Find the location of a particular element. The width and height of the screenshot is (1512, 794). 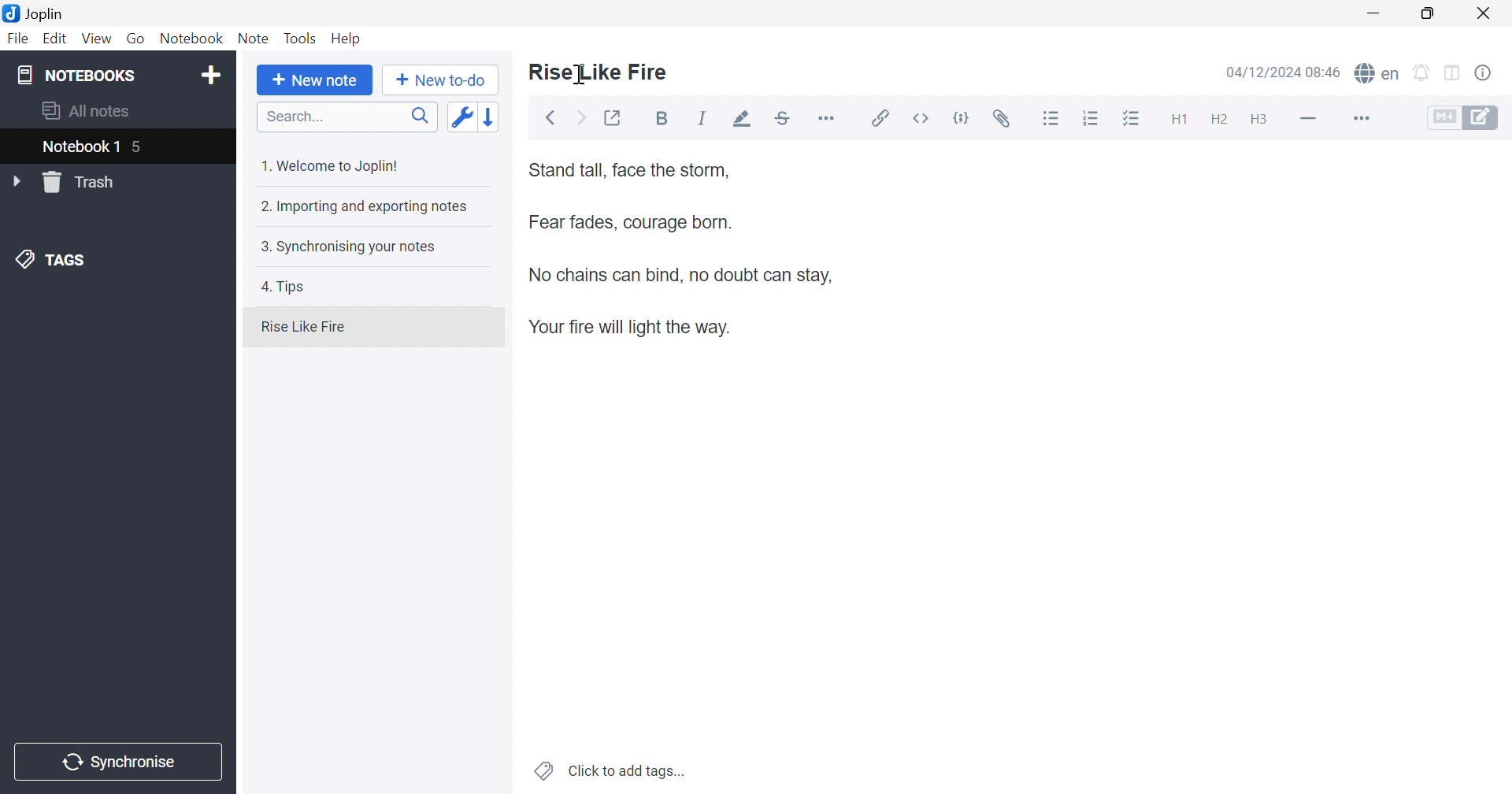

Strikethrough is located at coordinates (782, 118).